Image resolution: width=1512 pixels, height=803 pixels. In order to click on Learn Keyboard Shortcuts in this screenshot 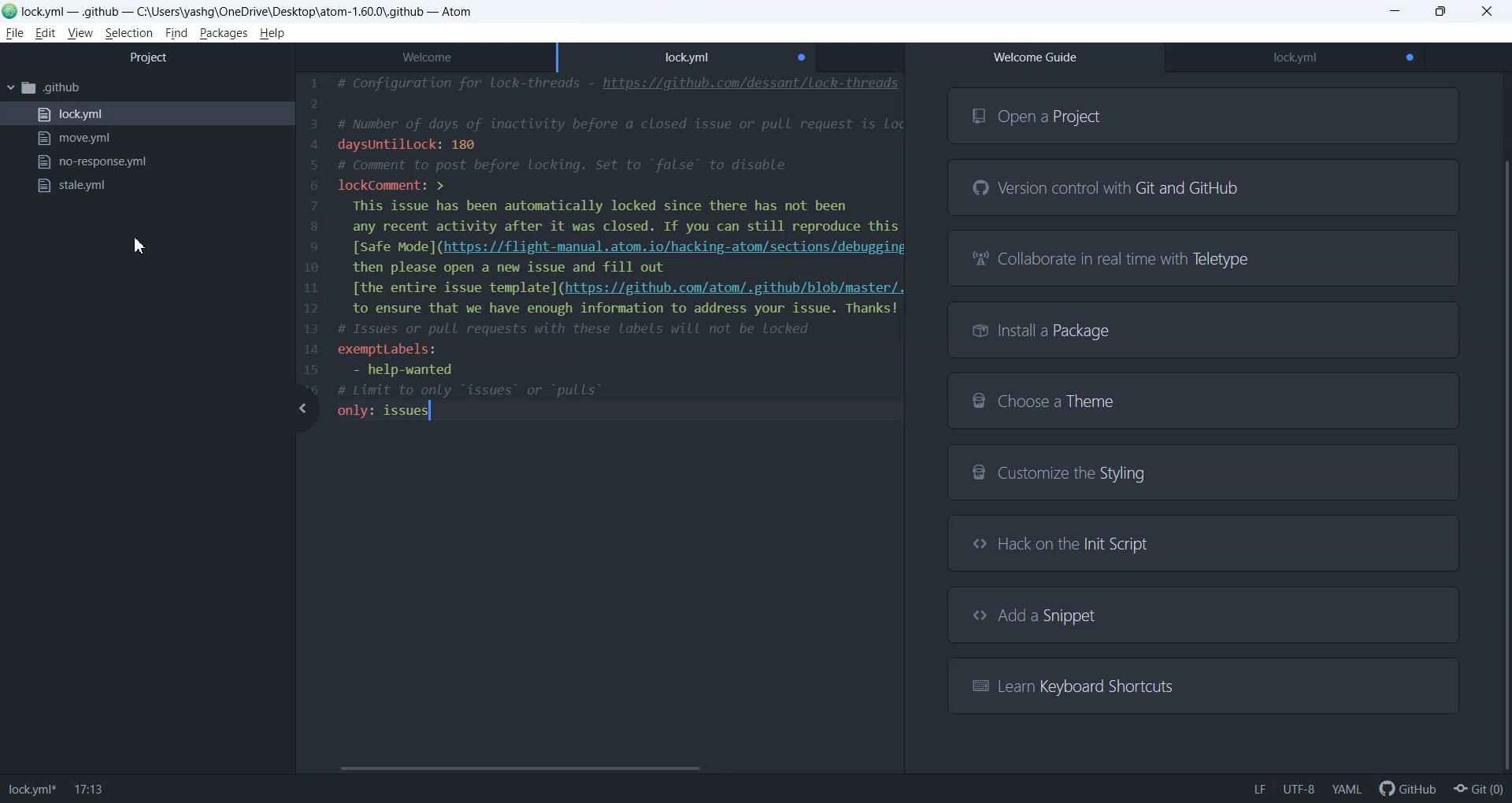, I will do `click(1200, 684)`.